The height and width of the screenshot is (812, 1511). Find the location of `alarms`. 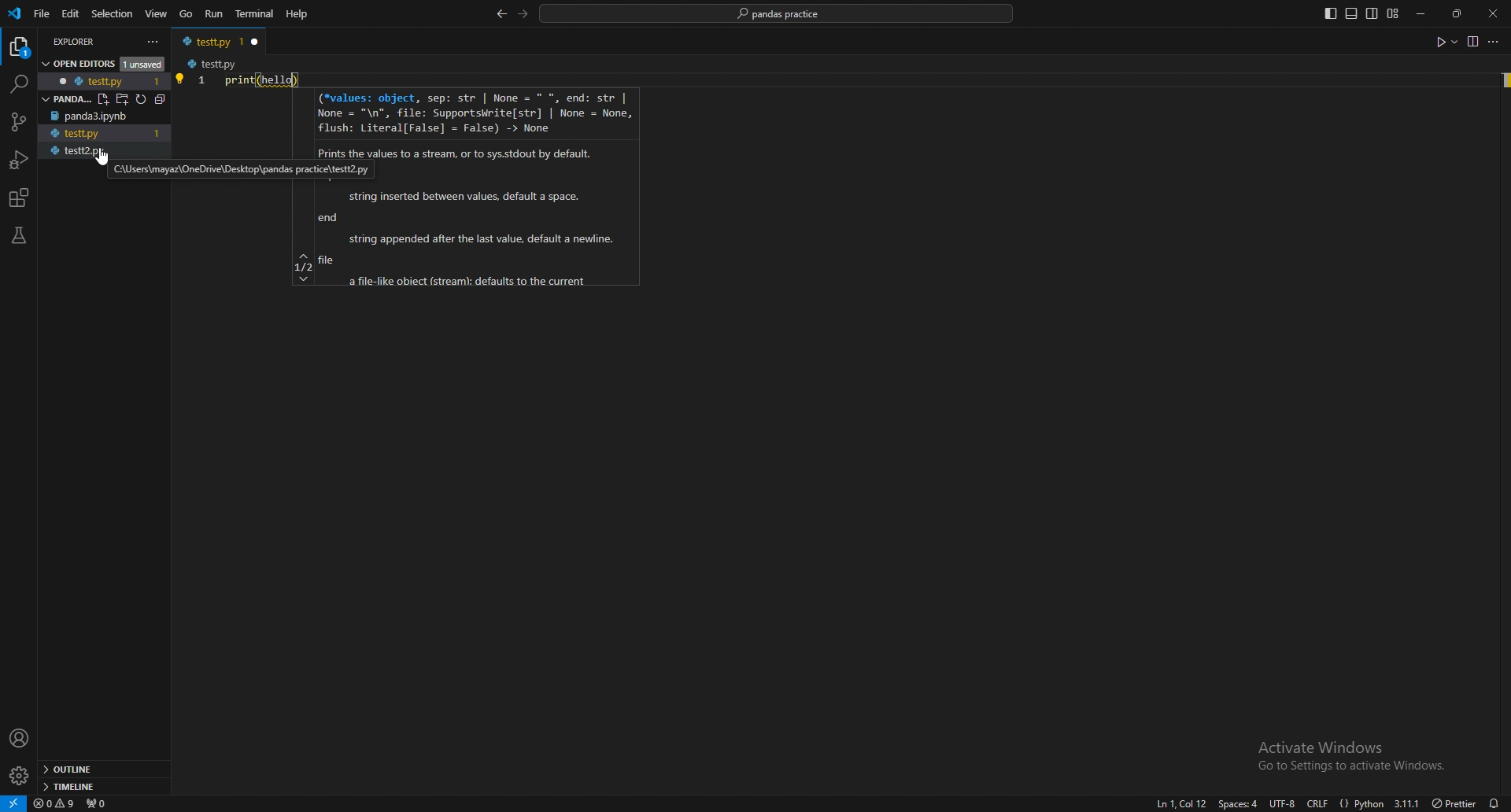

alarms is located at coordinates (1494, 803).